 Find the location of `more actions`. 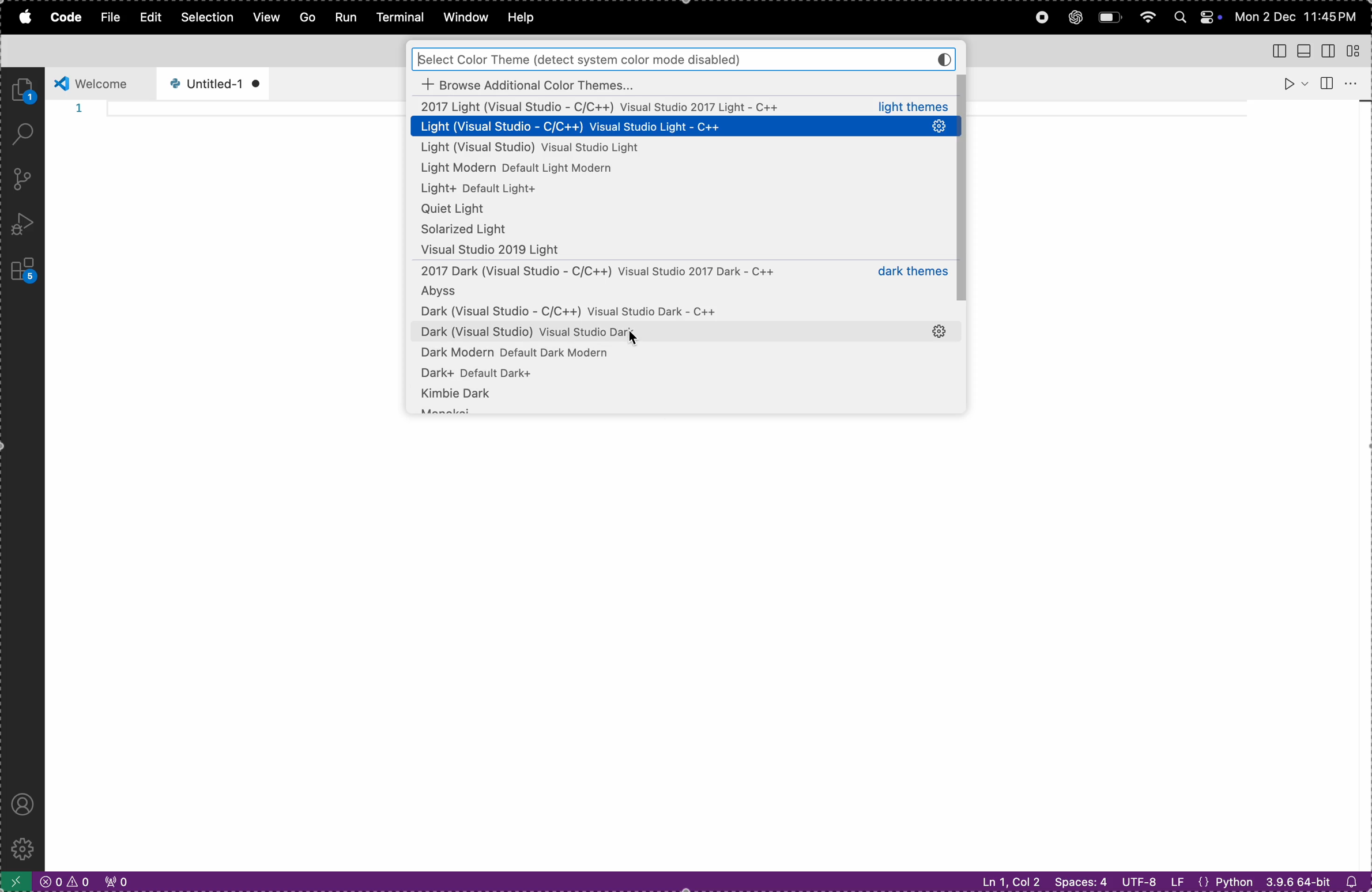

more actions is located at coordinates (1356, 84).